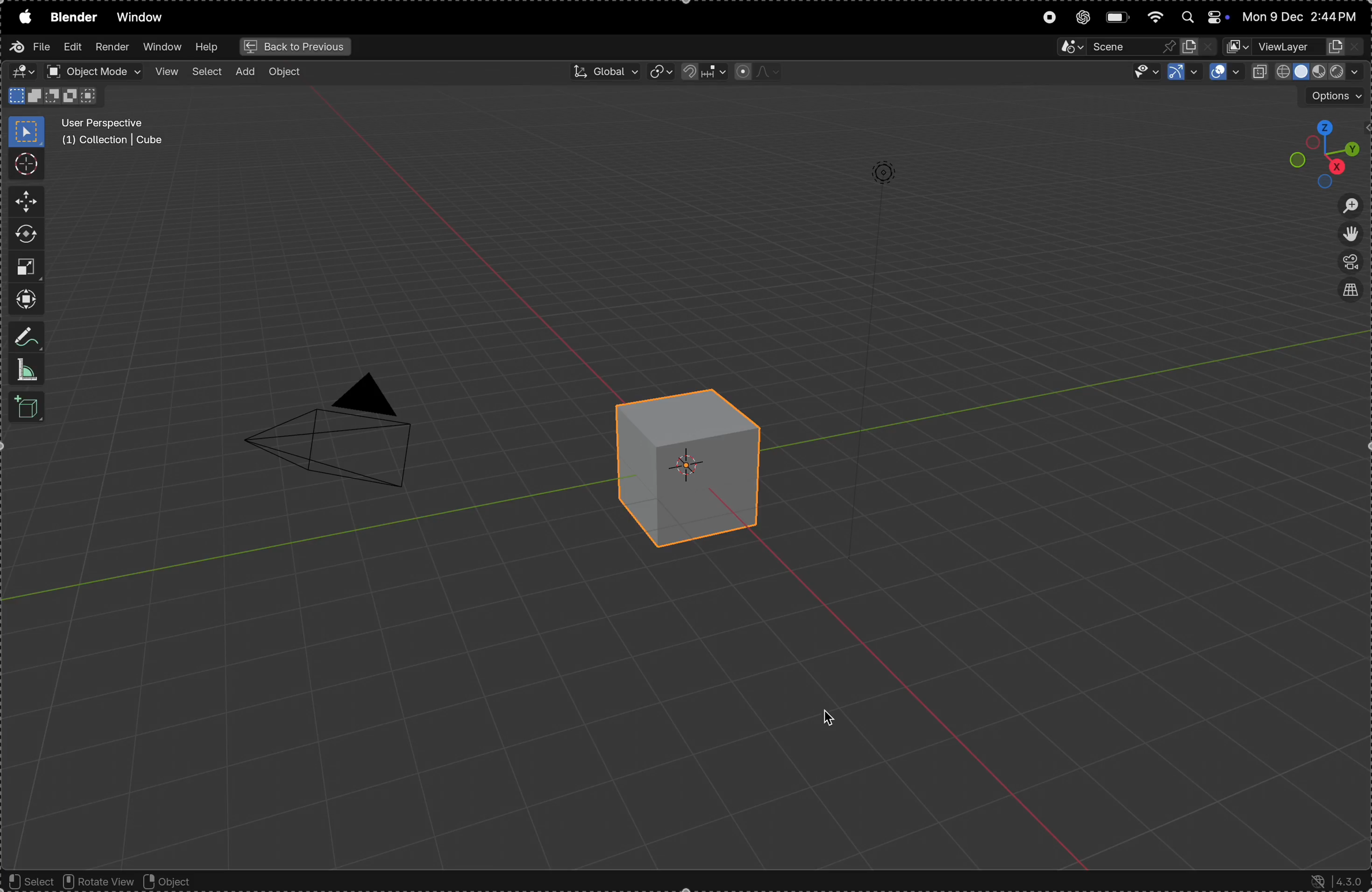 The height and width of the screenshot is (892, 1372). I want to click on render, so click(111, 46).